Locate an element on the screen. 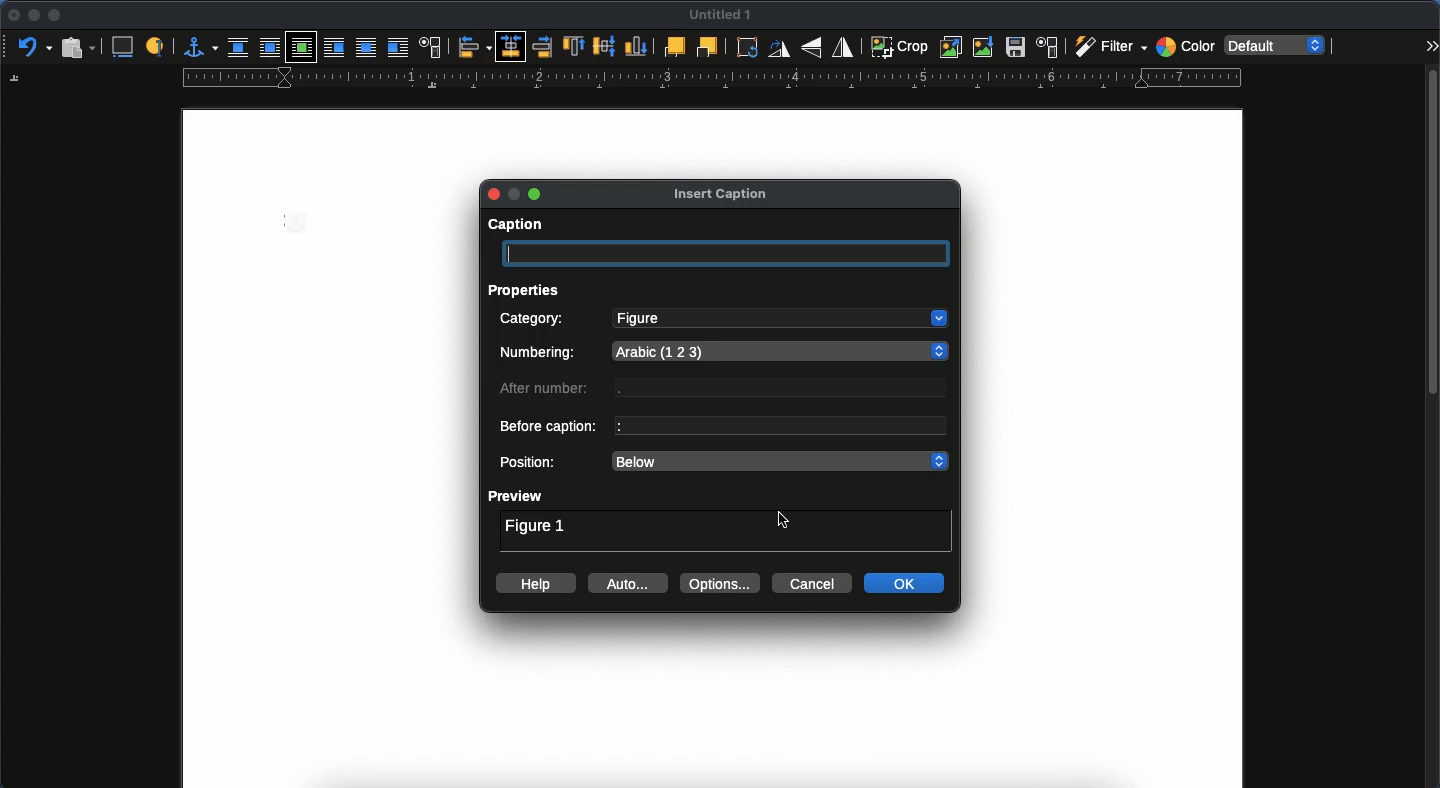 Image resolution: width=1440 pixels, height=788 pixels. after number is located at coordinates (549, 390).